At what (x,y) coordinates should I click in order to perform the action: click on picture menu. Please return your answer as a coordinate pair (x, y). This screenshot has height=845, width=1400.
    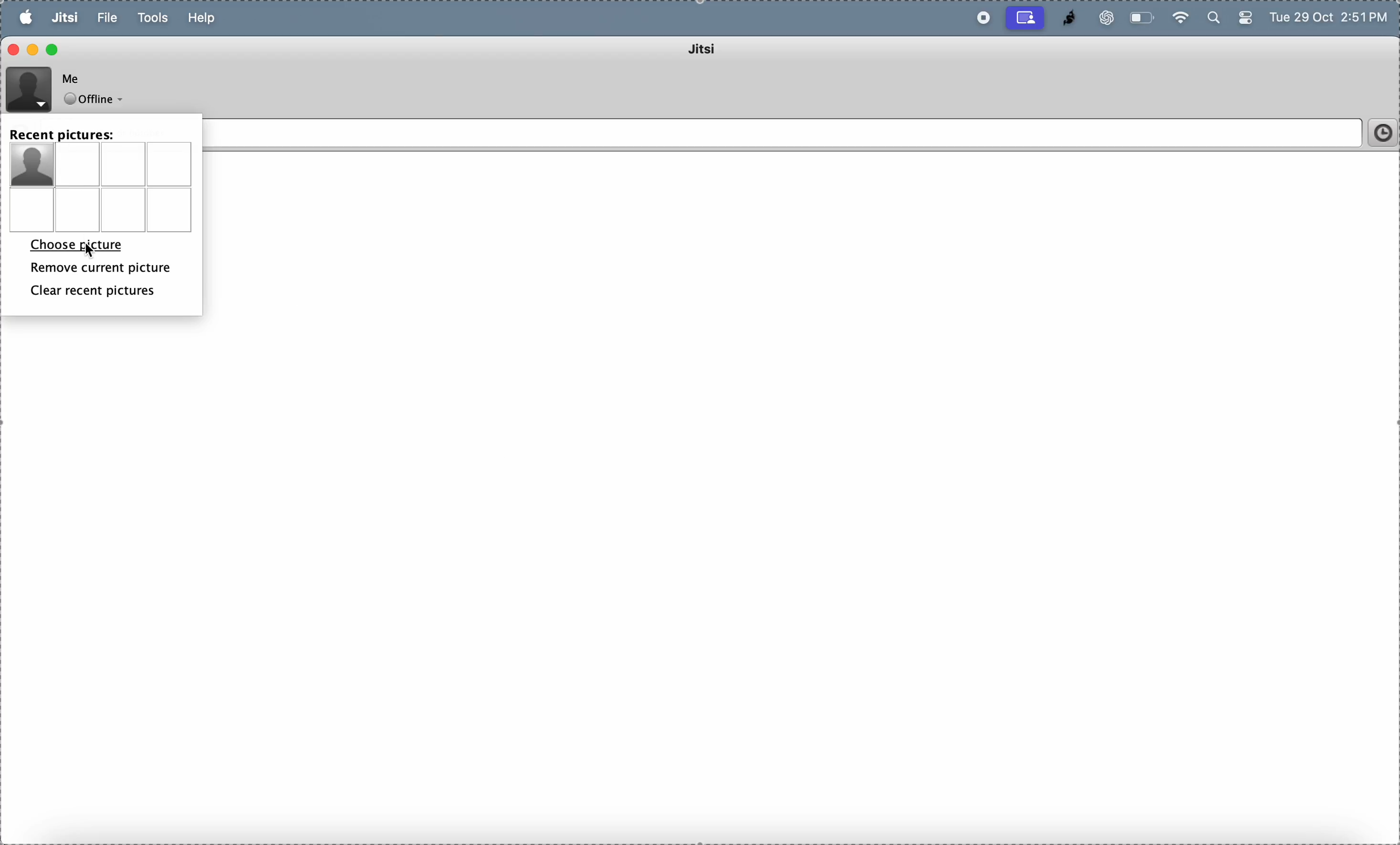
    Looking at the image, I should click on (105, 188).